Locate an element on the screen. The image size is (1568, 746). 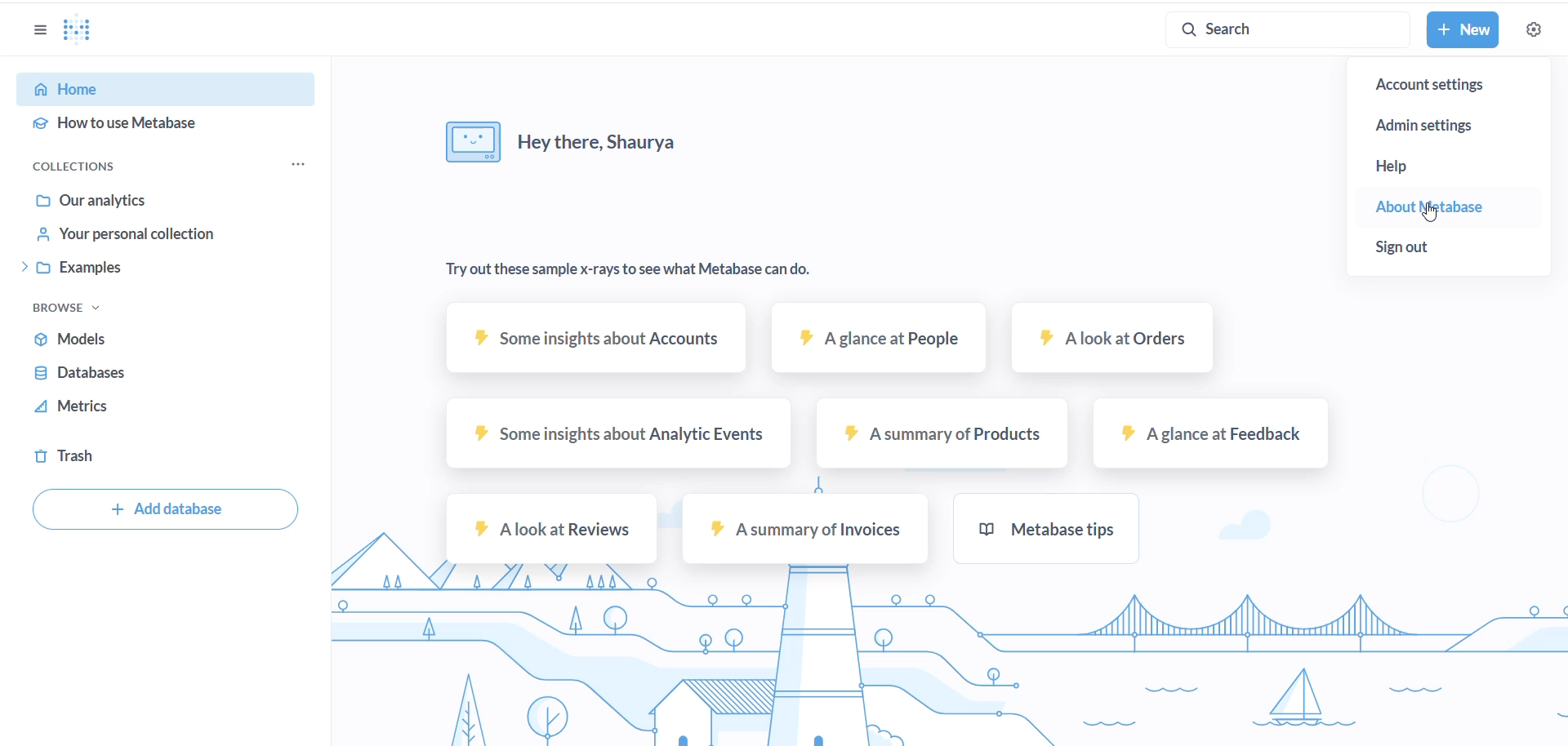
cursor is located at coordinates (1429, 215).